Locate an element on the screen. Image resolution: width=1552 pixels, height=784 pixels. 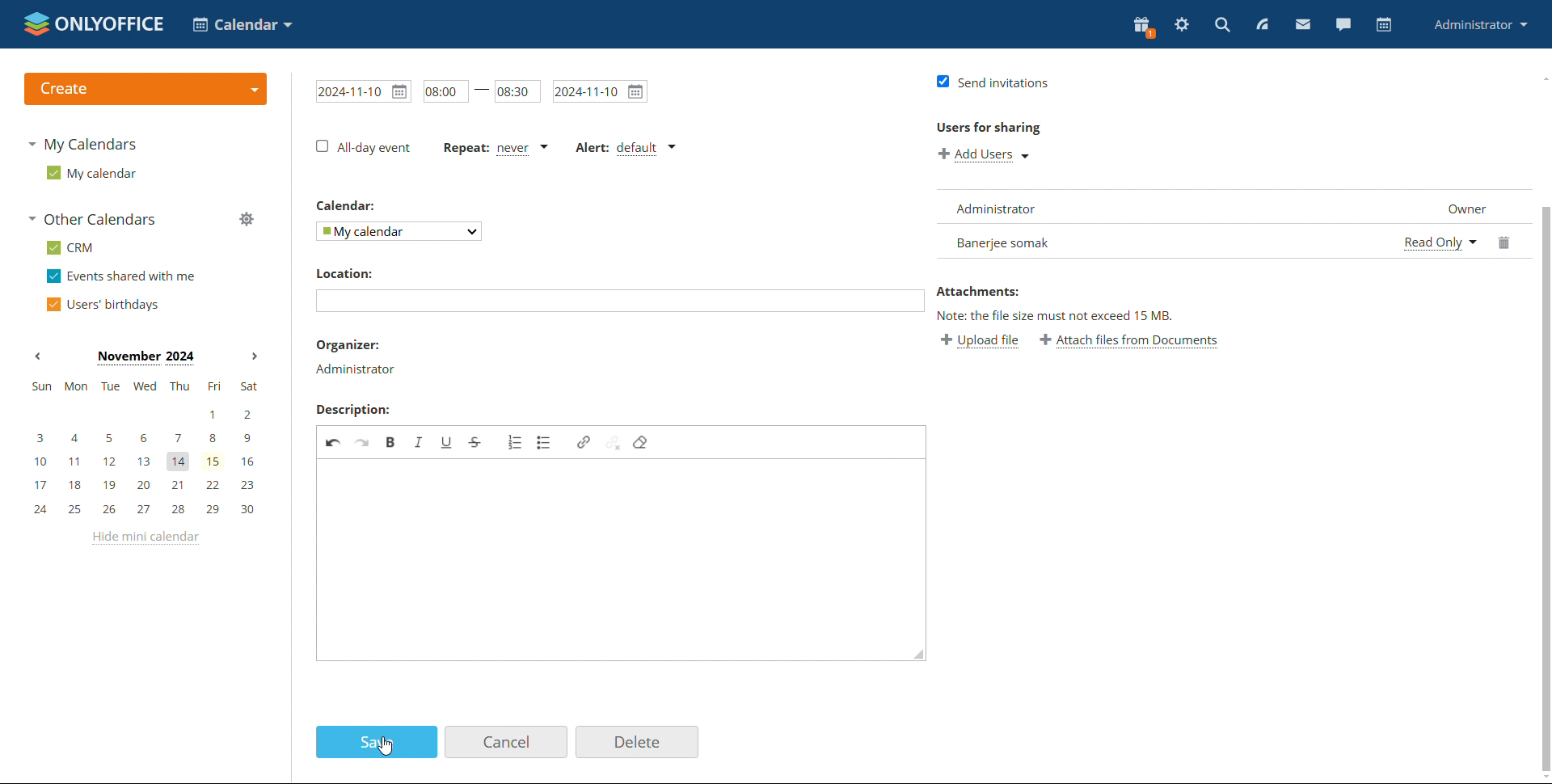
administrator is located at coordinates (354, 369).